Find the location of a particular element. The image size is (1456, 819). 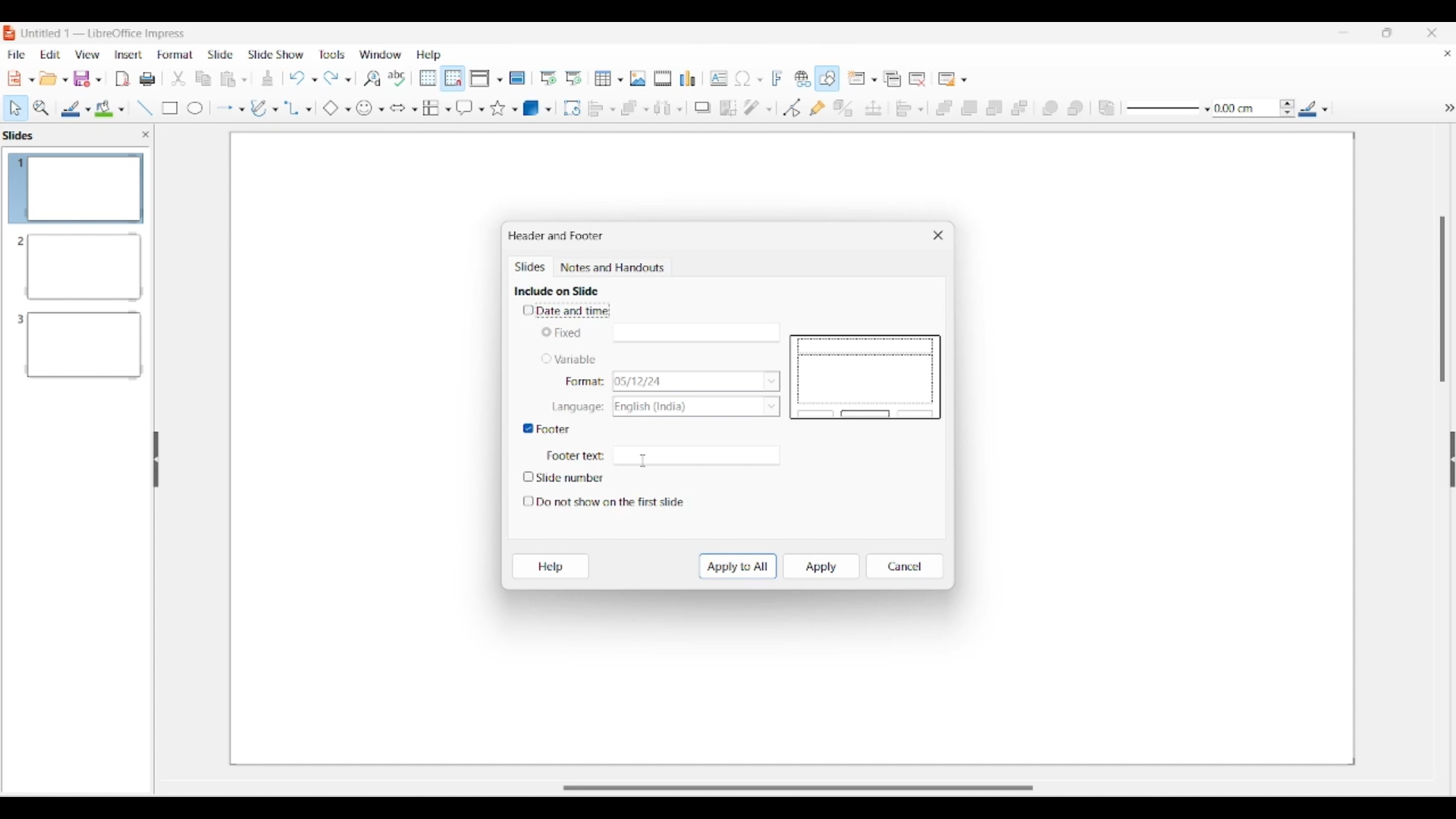

Insert image is located at coordinates (638, 78).